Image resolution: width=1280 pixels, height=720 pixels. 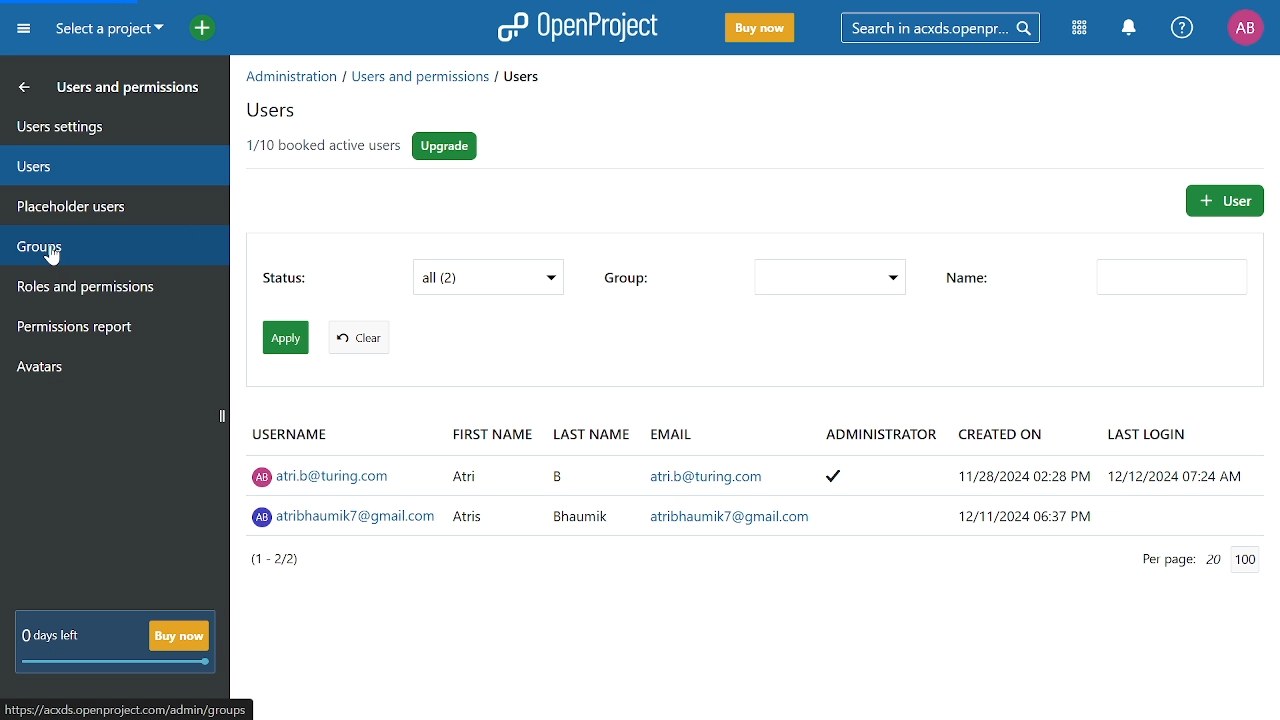 What do you see at coordinates (117, 663) in the screenshot?
I see `Days left in scale` at bounding box center [117, 663].